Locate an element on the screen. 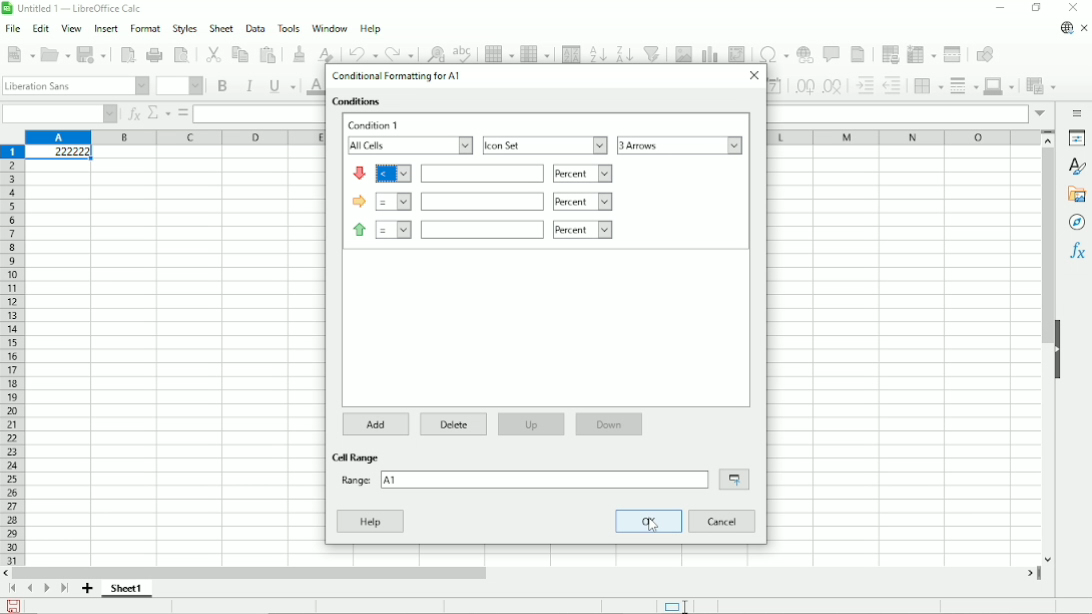 This screenshot has height=614, width=1092. Row headings is located at coordinates (12, 355).